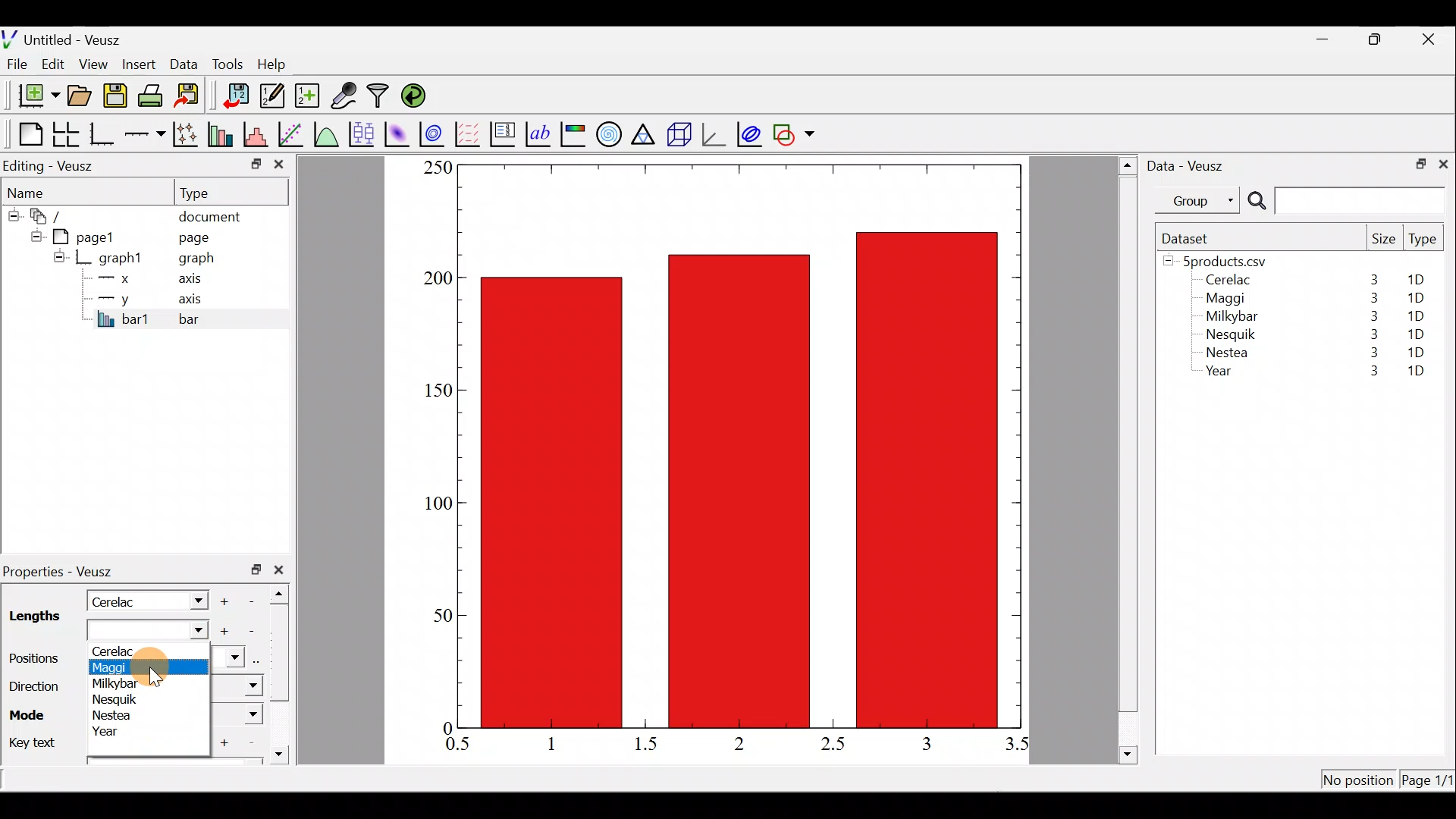 The image size is (1456, 819). Describe the element at coordinates (227, 63) in the screenshot. I see `Tools` at that location.